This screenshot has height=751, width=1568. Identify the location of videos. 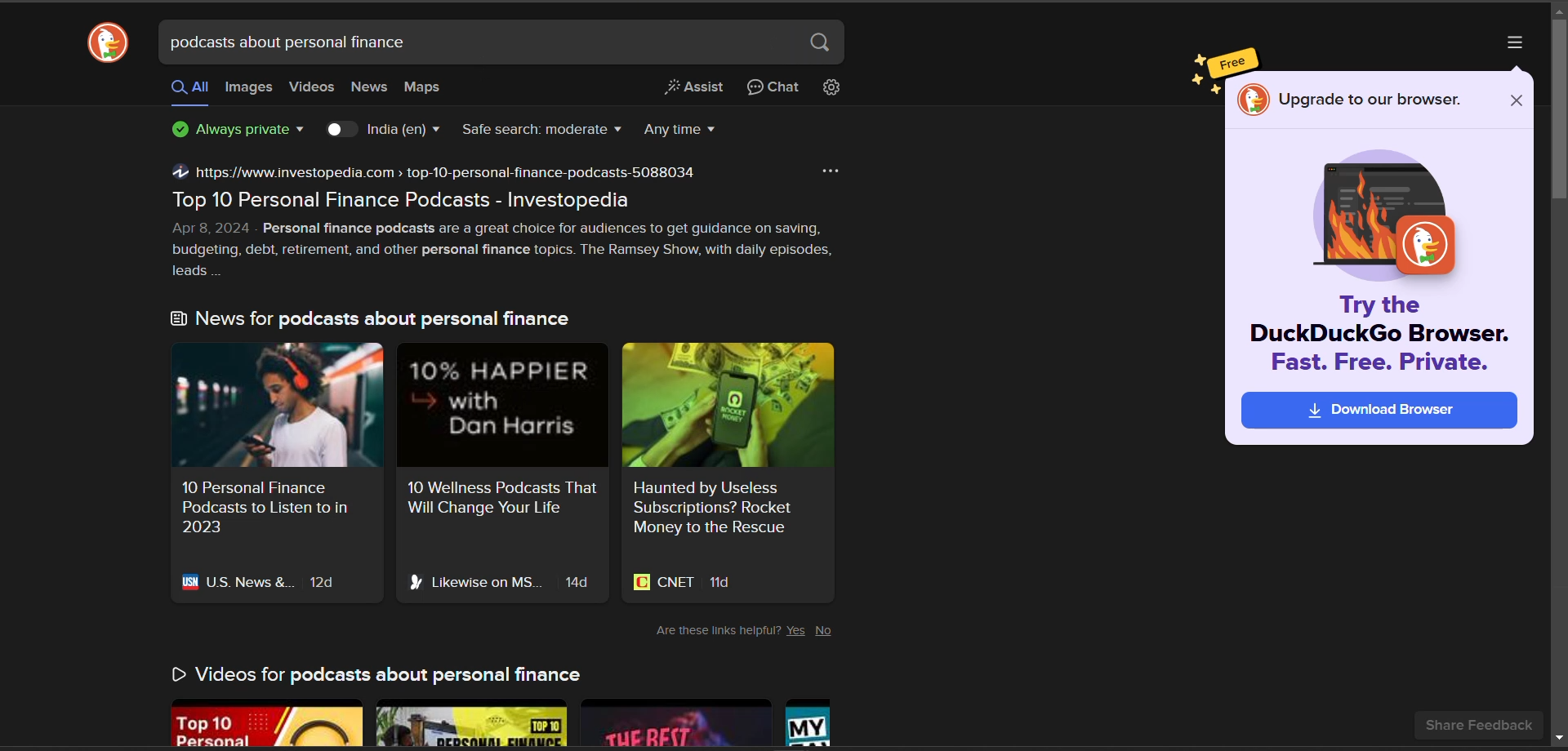
(311, 87).